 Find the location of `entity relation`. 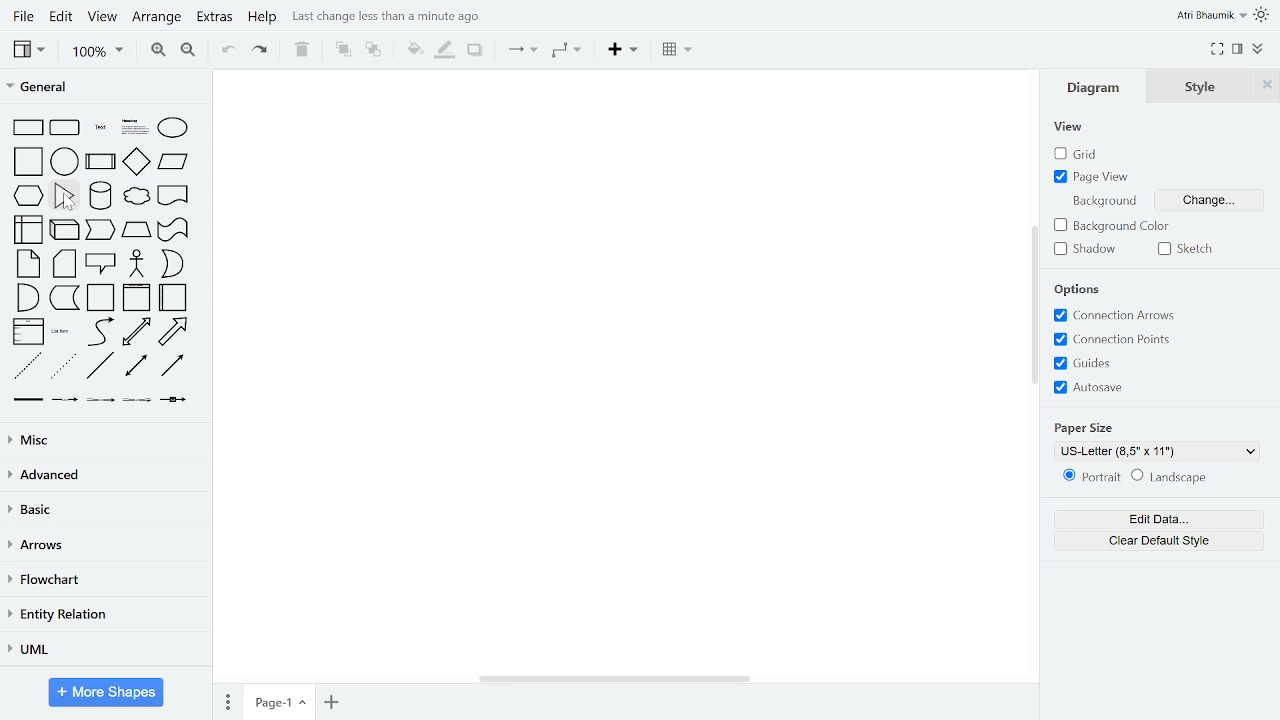

entity relation is located at coordinates (103, 614).